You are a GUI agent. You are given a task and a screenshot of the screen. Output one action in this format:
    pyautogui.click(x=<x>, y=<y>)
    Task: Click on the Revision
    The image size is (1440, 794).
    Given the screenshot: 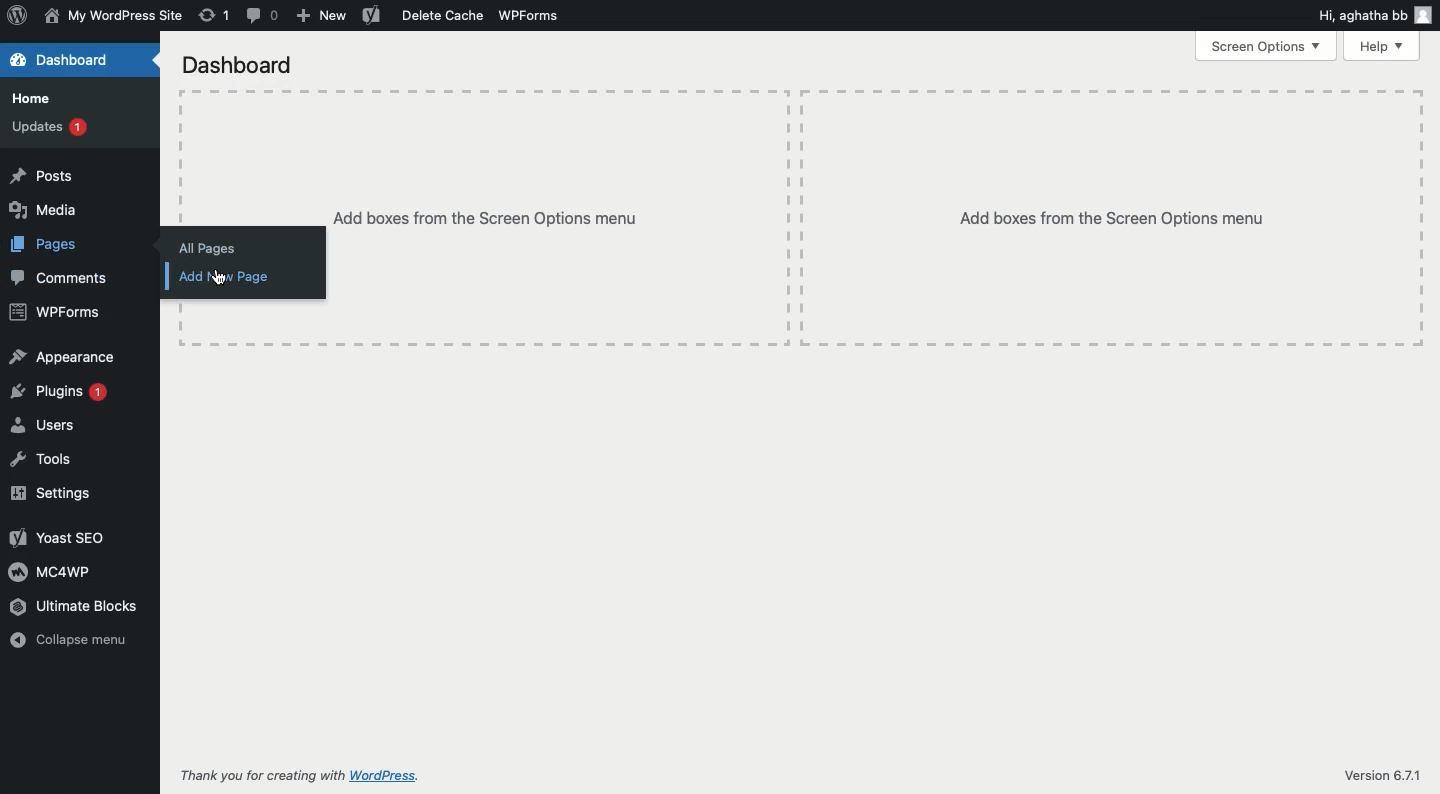 What is the action you would take?
    pyautogui.click(x=213, y=14)
    